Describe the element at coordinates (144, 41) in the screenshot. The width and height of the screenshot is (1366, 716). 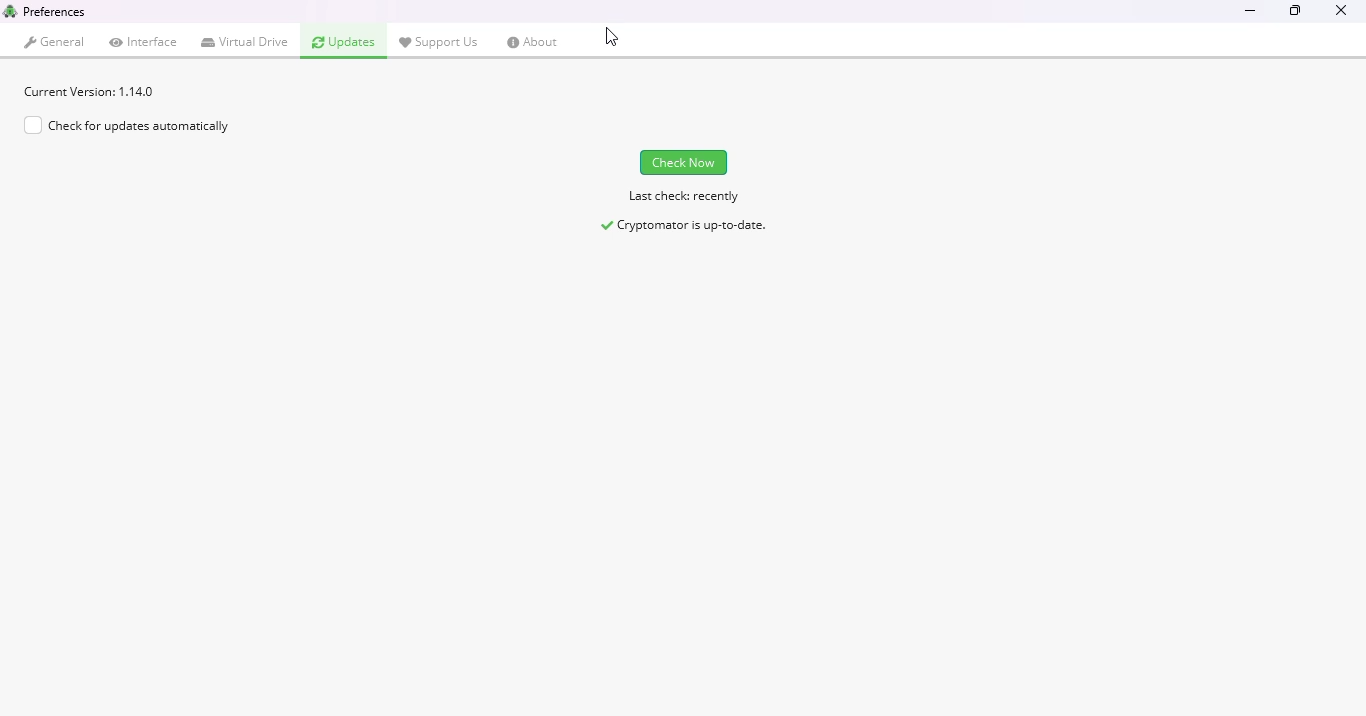
I see `interface` at that location.